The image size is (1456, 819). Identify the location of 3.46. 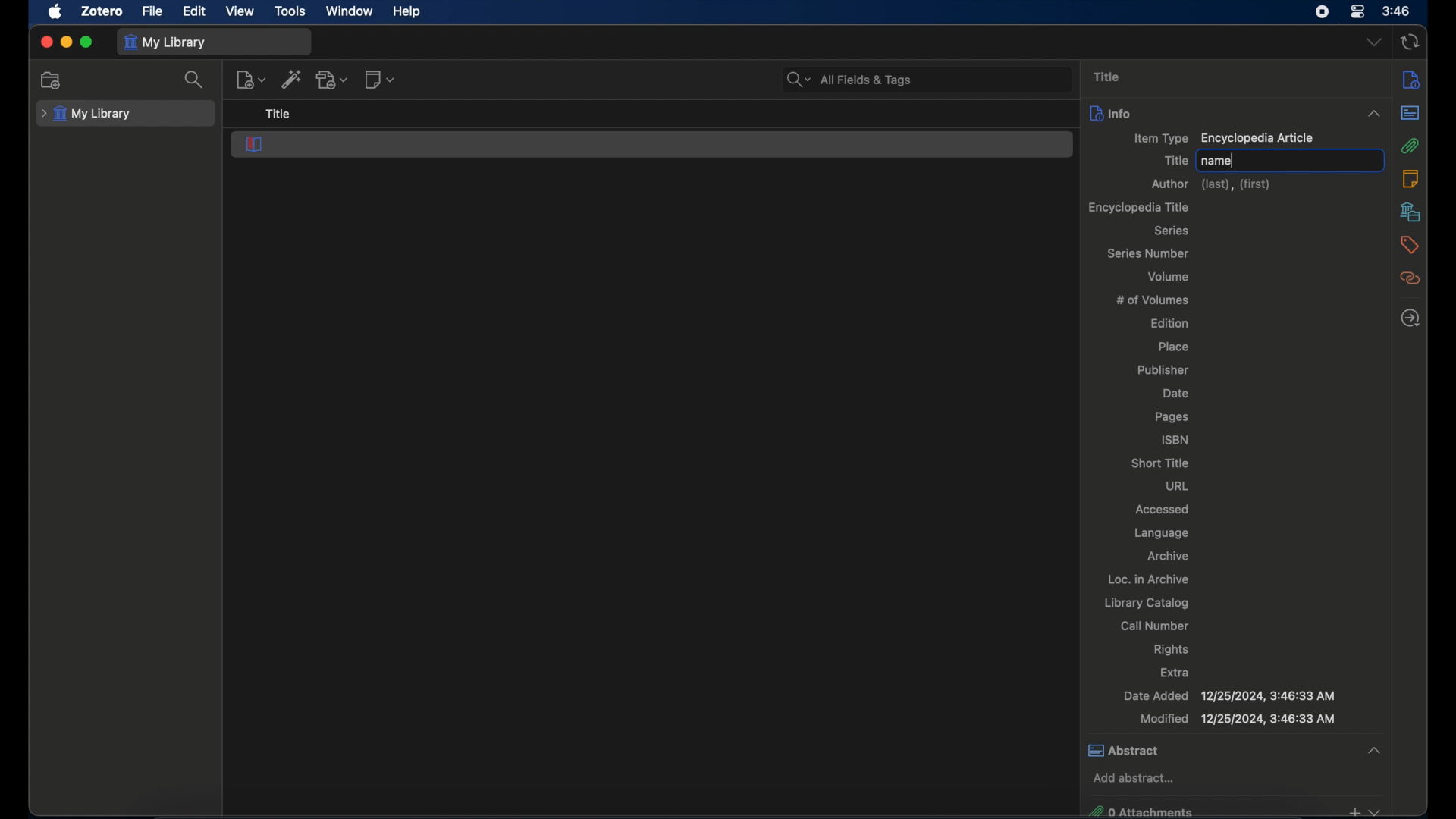
(1397, 11).